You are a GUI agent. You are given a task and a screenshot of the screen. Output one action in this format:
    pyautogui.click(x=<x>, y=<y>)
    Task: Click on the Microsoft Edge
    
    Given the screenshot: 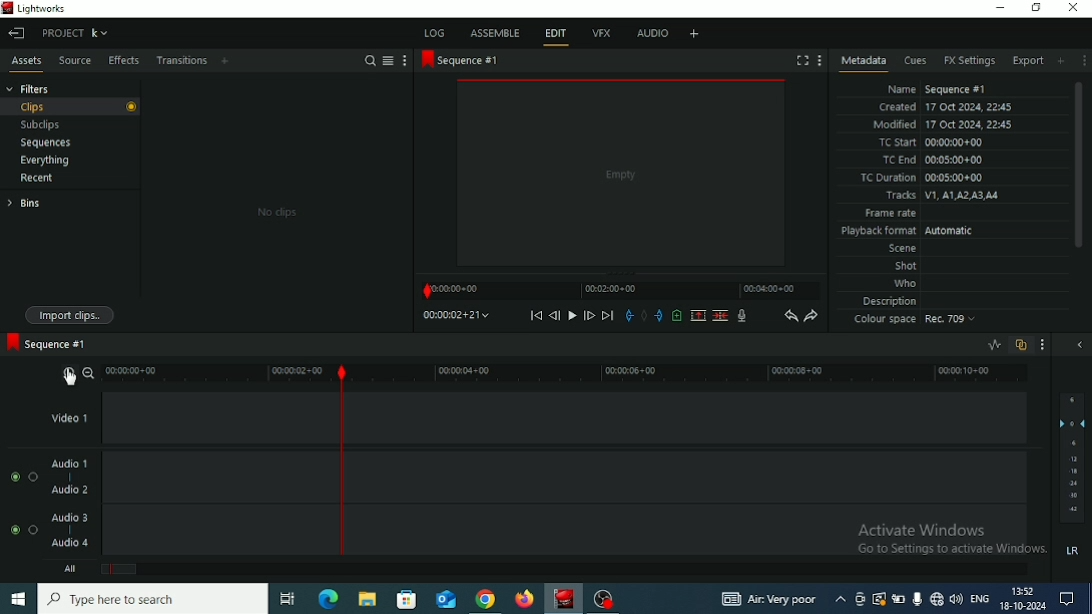 What is the action you would take?
    pyautogui.click(x=328, y=597)
    